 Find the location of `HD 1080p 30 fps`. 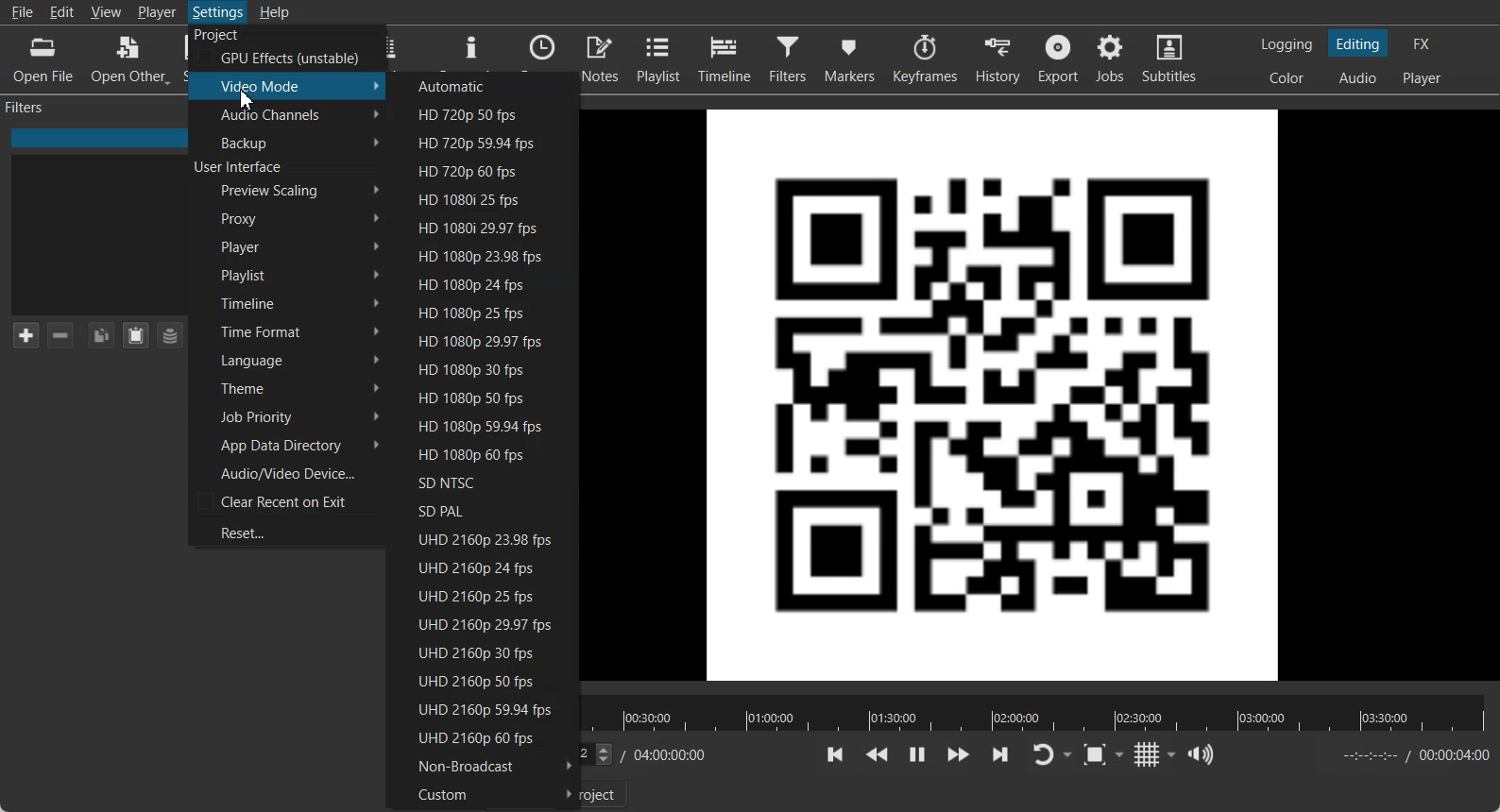

HD 1080p 30 fps is located at coordinates (478, 367).